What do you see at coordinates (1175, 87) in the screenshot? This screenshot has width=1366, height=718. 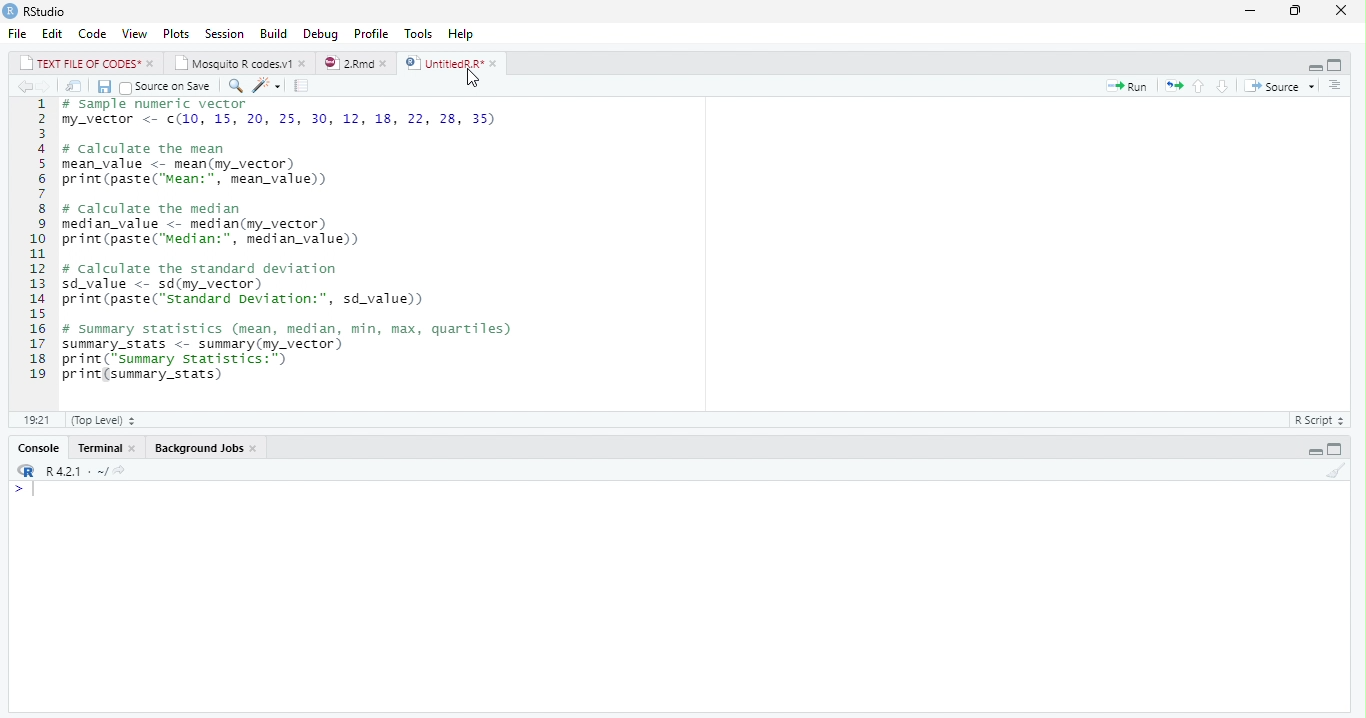 I see `re-run the previous section` at bounding box center [1175, 87].